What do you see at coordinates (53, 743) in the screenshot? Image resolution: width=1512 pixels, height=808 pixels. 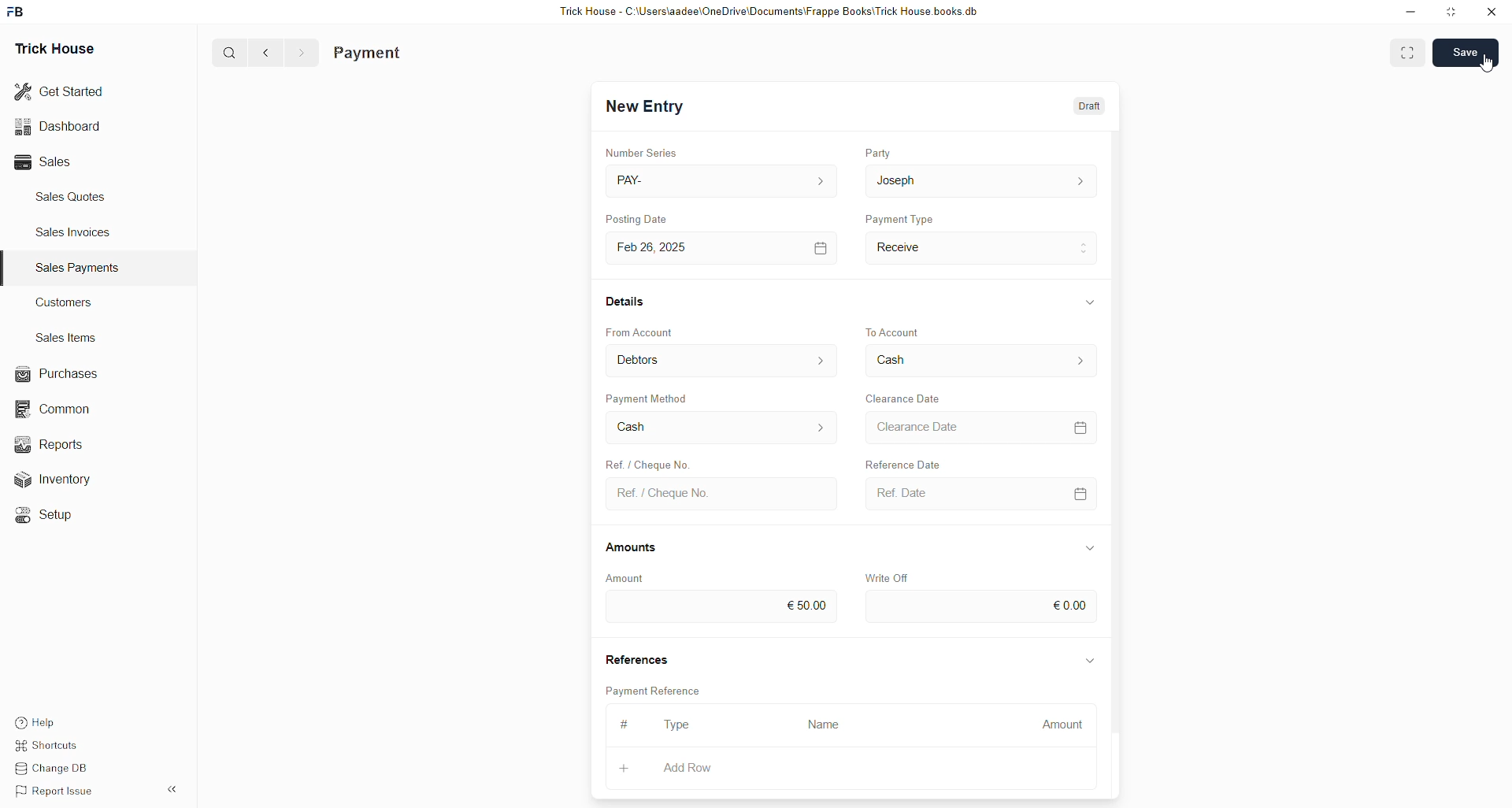 I see `Shortcuts` at bounding box center [53, 743].